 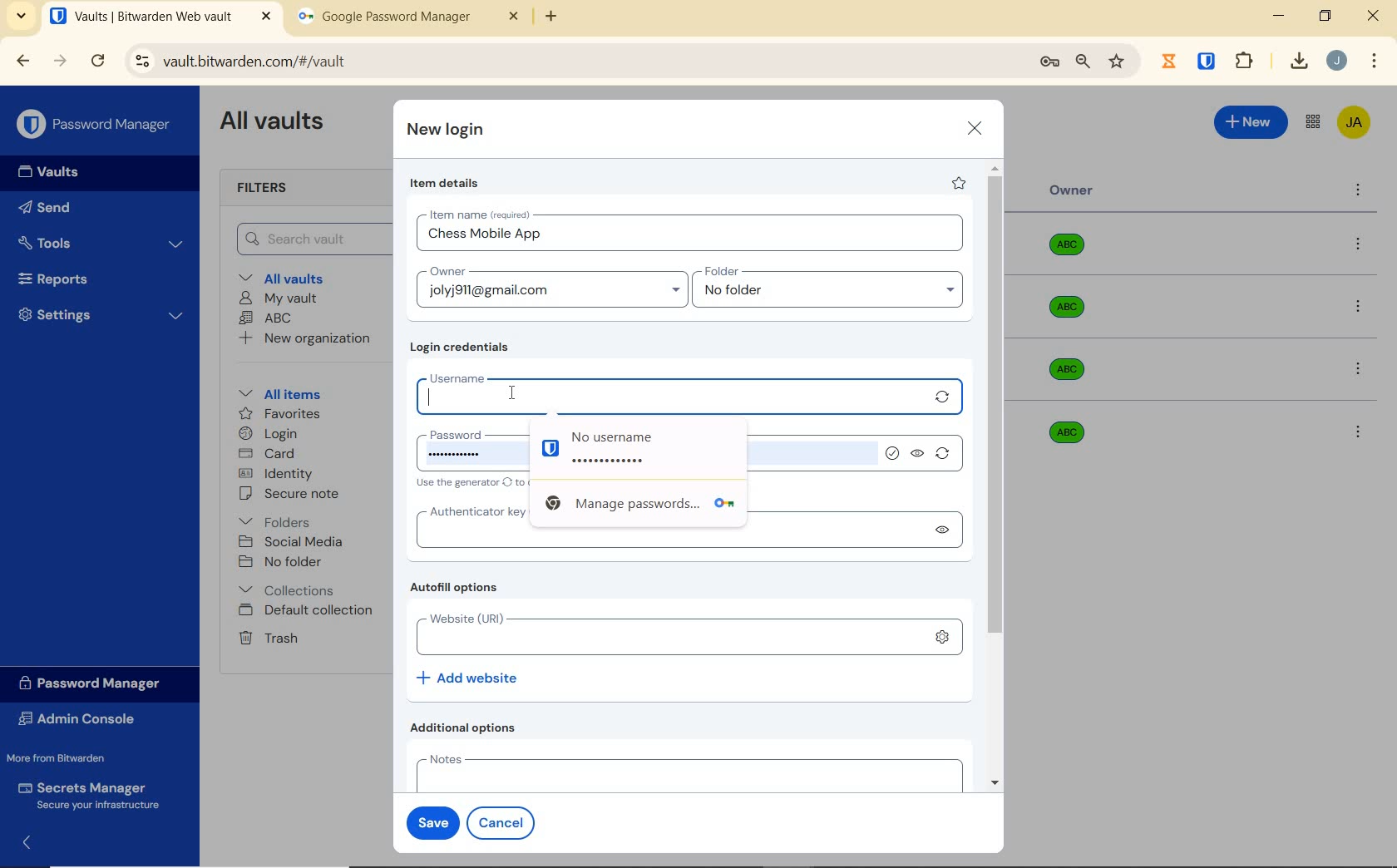 I want to click on address bar, so click(x=573, y=62).